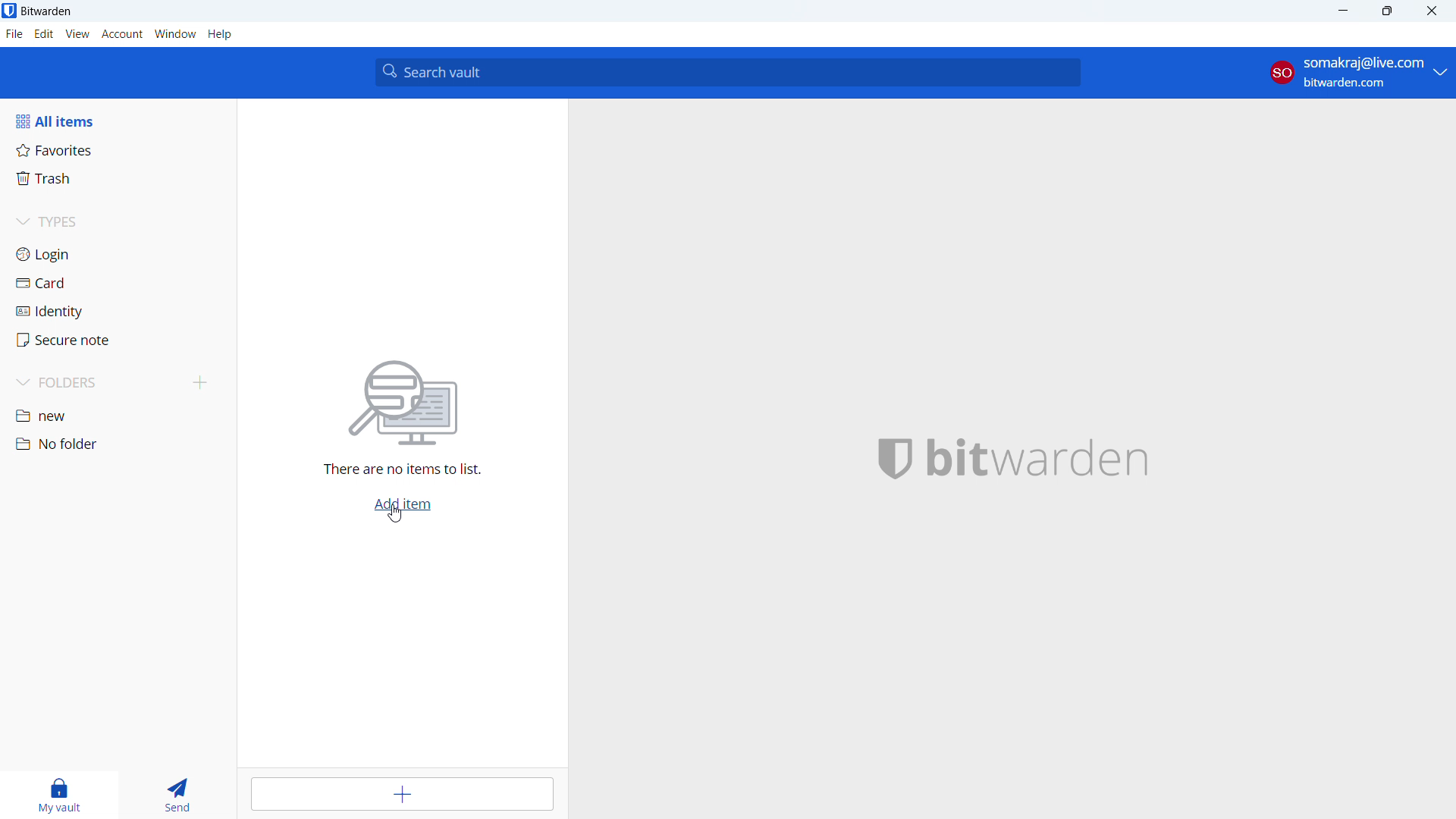 This screenshot has height=819, width=1456. I want to click on add folder, so click(200, 384).